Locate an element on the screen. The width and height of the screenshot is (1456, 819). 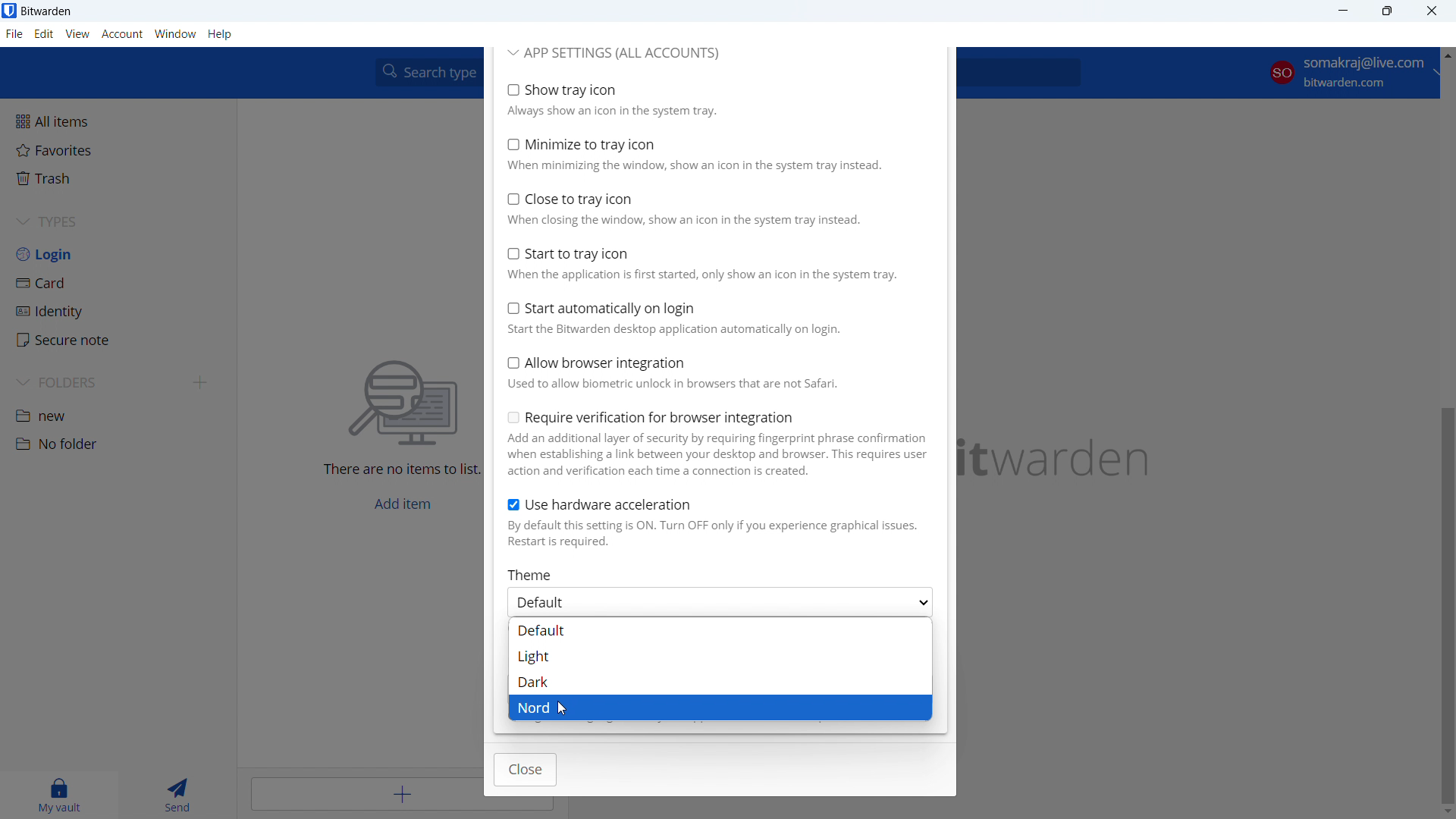
folder 1 is located at coordinates (118, 414).